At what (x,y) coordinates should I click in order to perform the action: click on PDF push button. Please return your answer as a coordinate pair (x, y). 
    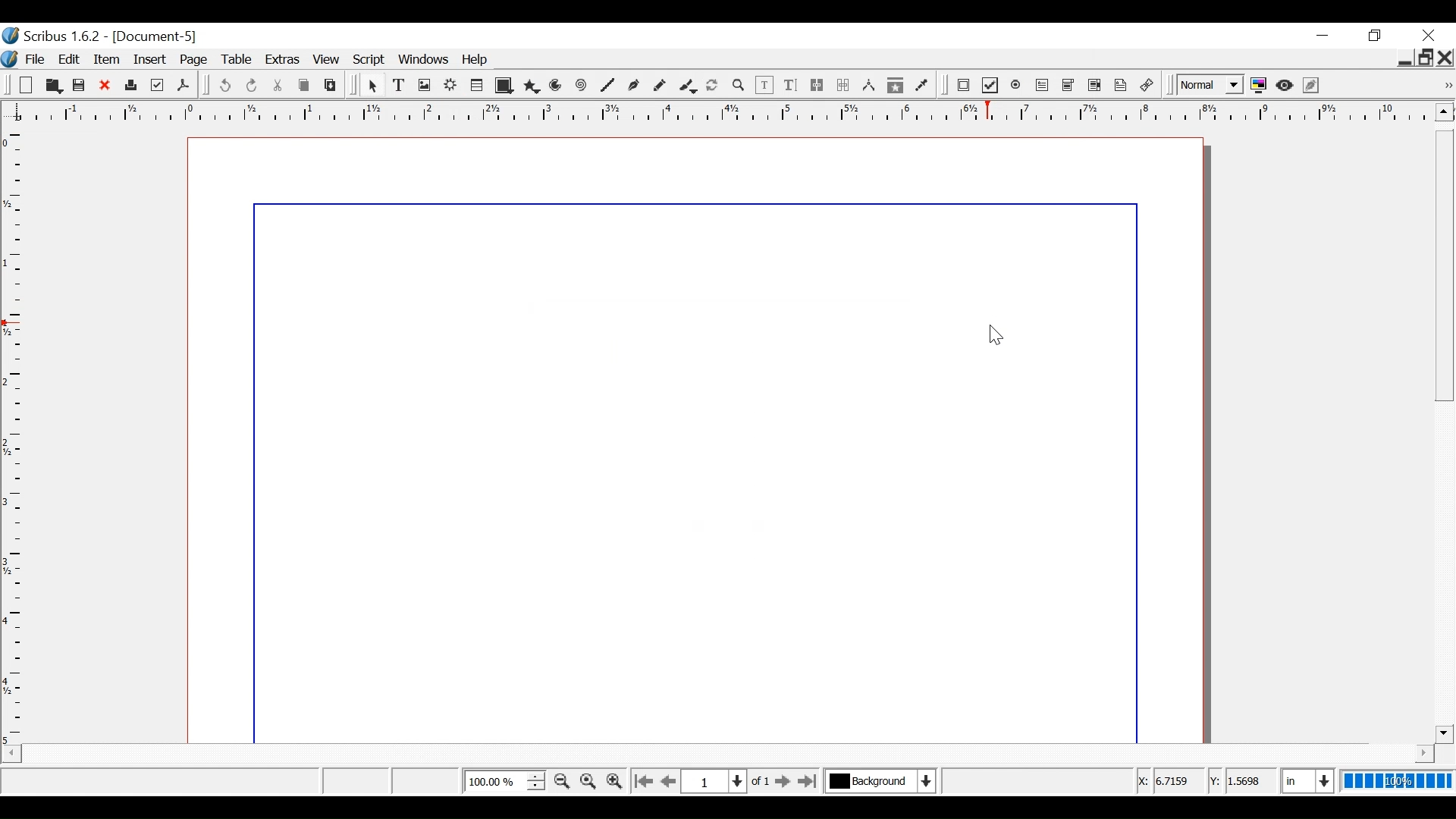
    Looking at the image, I should click on (963, 85).